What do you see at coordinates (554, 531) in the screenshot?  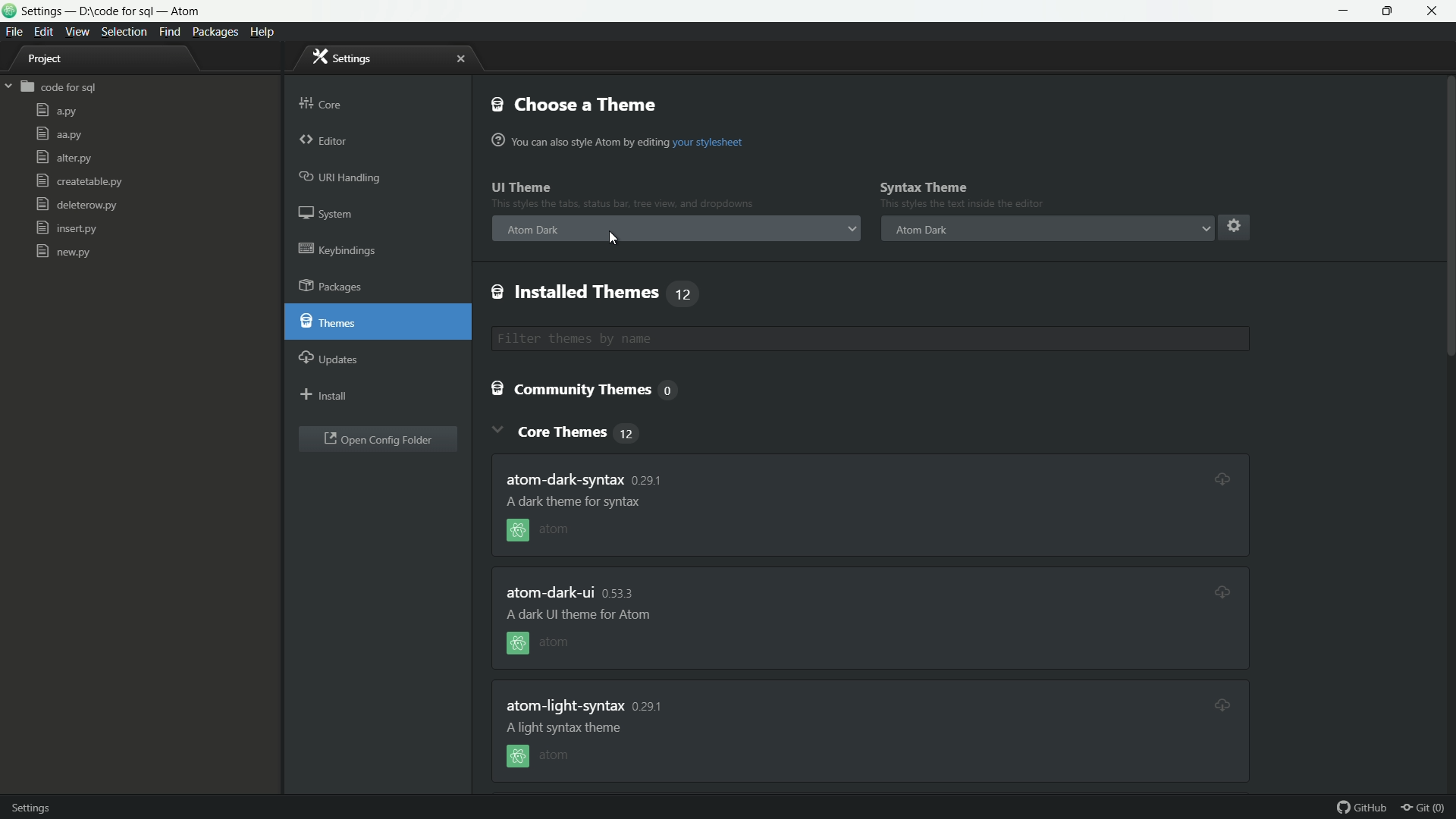 I see `atom` at bounding box center [554, 531].